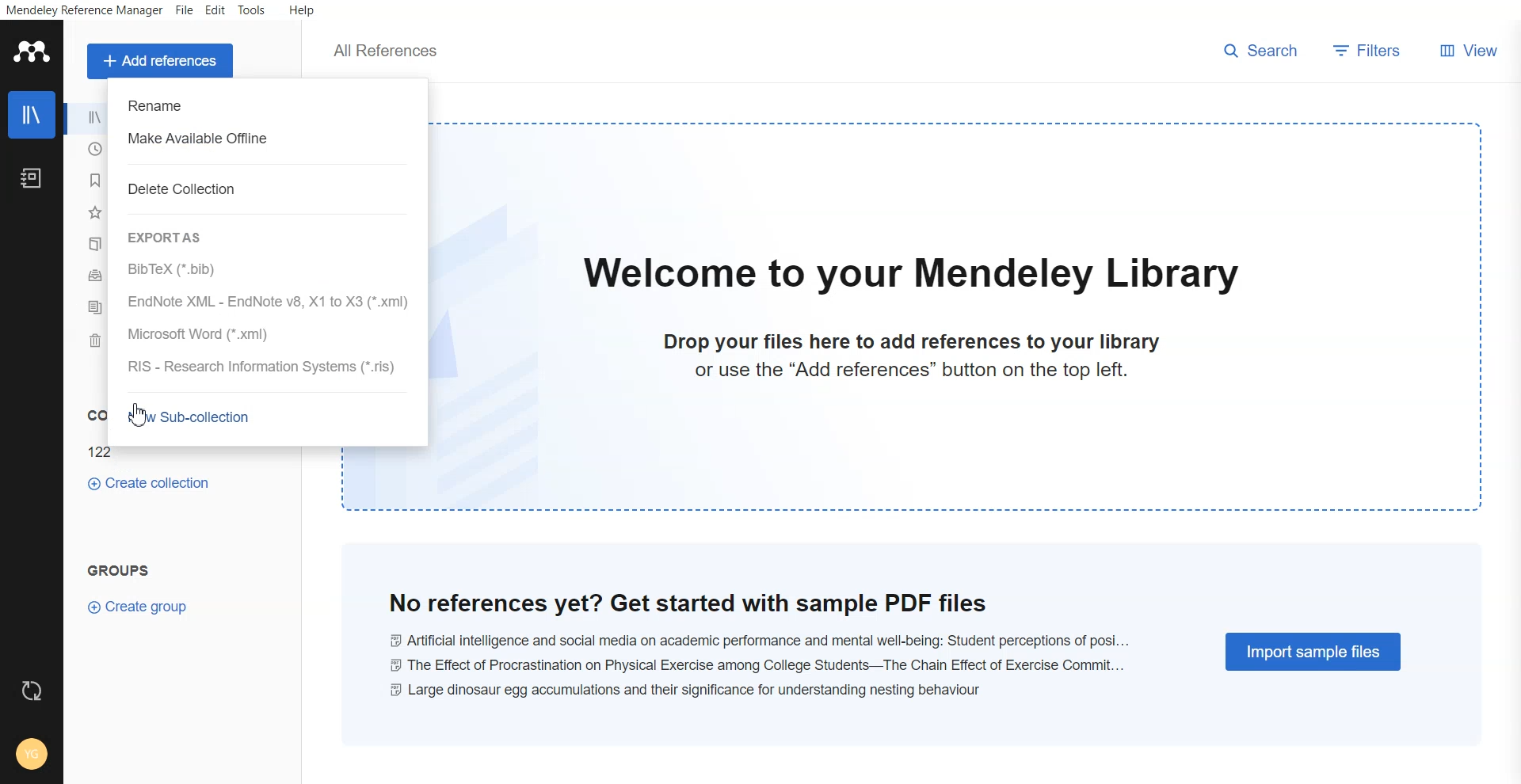 This screenshot has width=1521, height=784. I want to click on File, so click(185, 10).